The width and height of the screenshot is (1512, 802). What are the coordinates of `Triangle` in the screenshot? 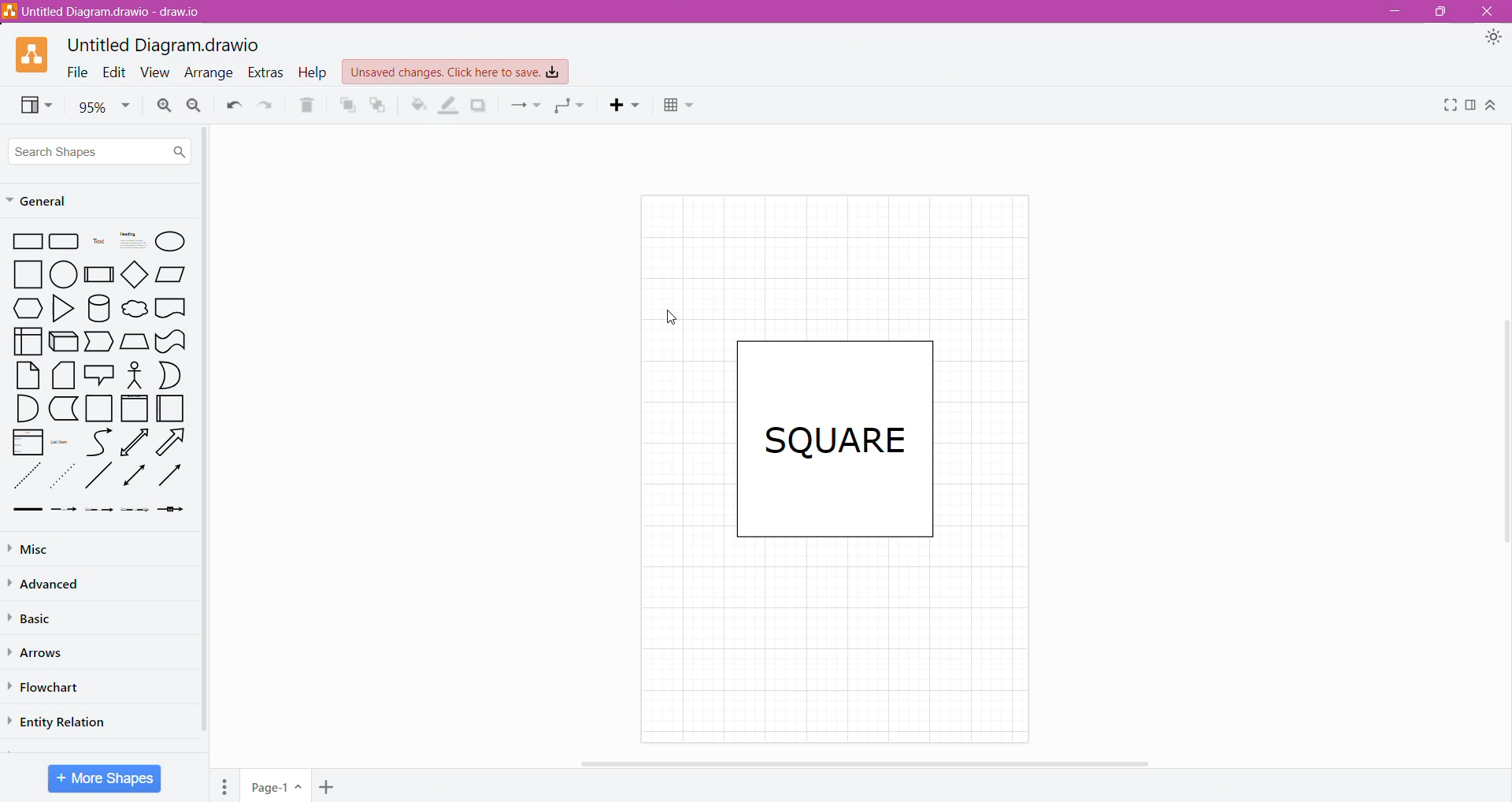 It's located at (63, 307).